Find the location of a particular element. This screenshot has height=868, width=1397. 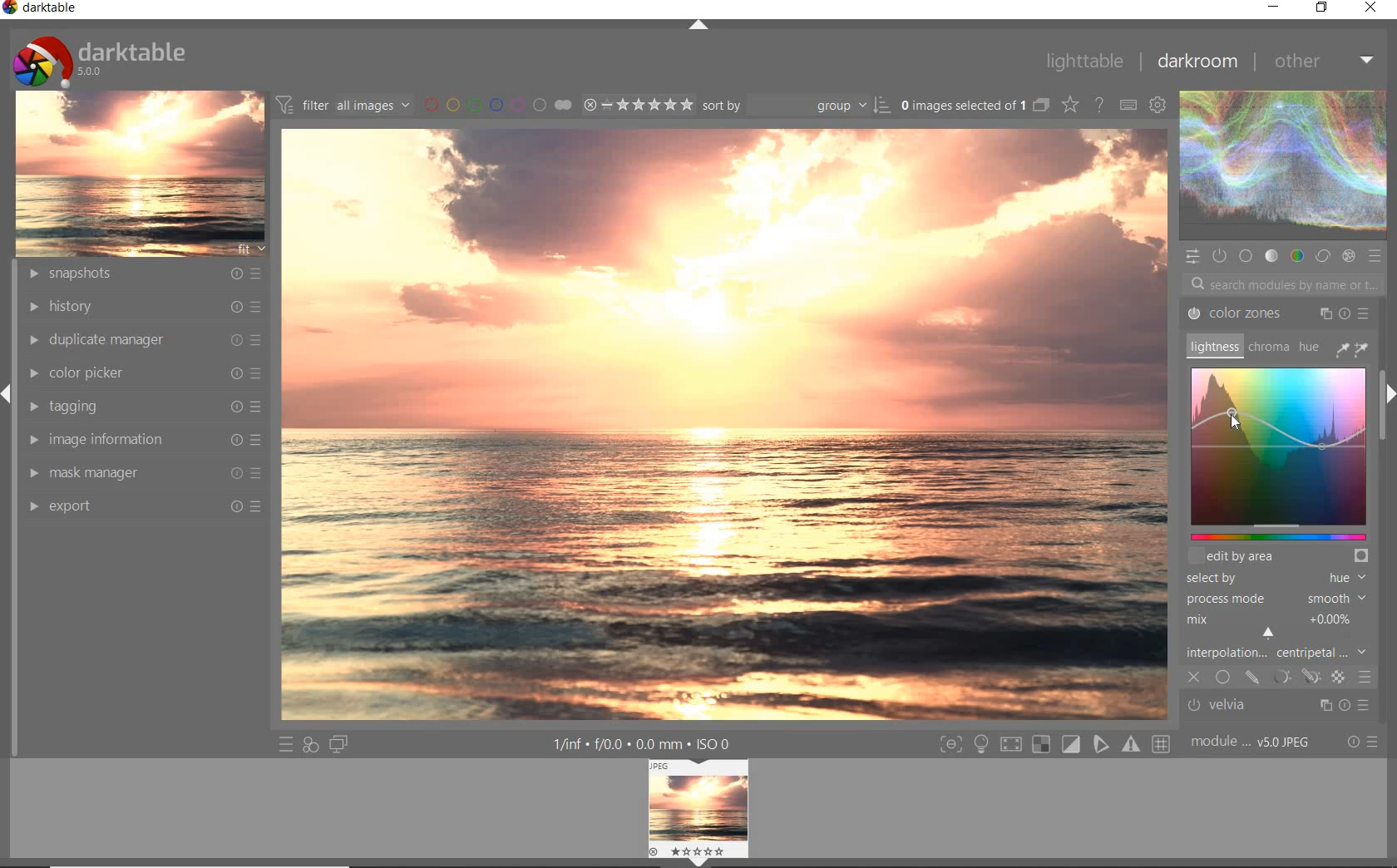

LIGHTNESS is located at coordinates (1212, 346).